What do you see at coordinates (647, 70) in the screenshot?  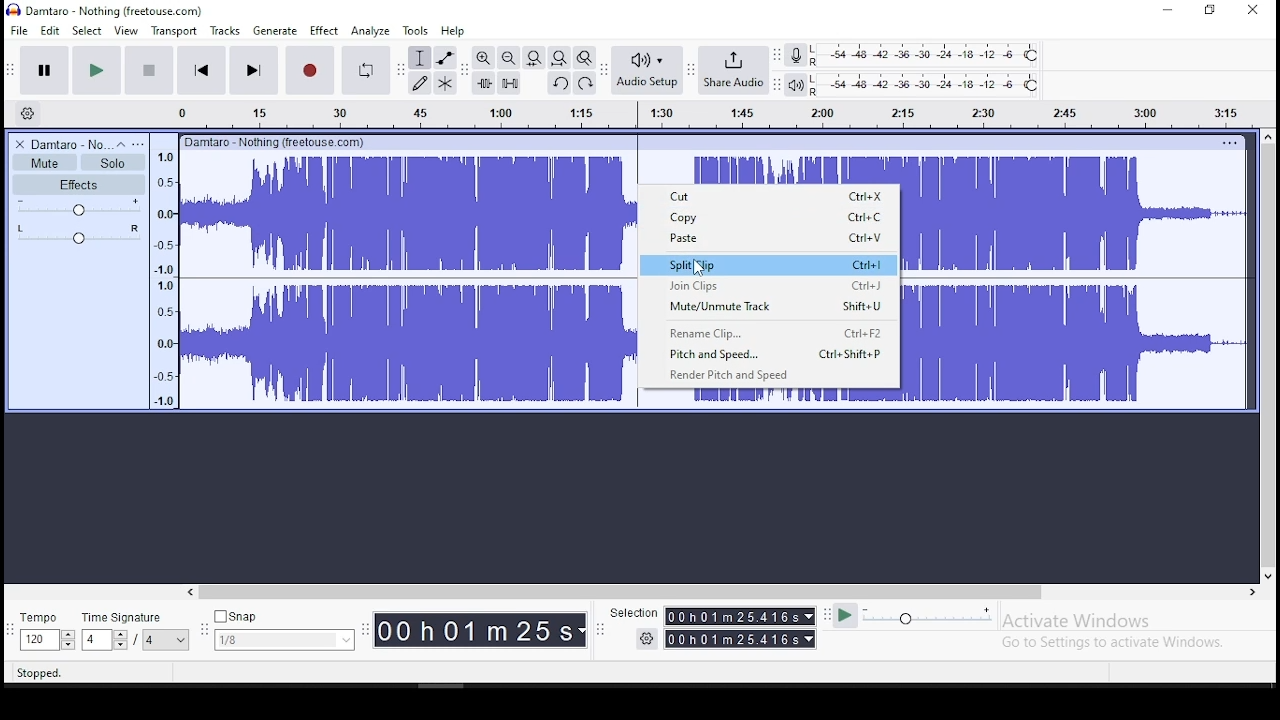 I see `audio setup` at bounding box center [647, 70].